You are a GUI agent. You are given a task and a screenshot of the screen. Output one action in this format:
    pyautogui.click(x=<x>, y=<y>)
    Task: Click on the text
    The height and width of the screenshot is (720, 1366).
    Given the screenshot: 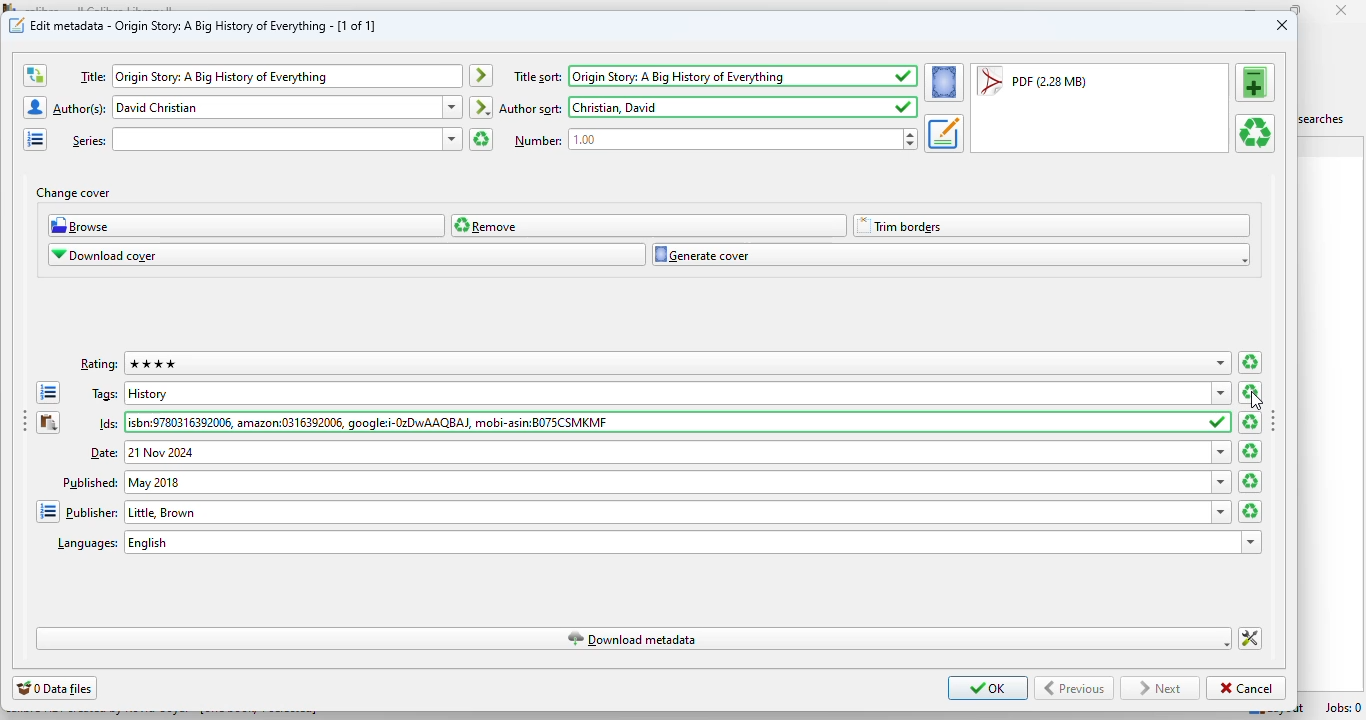 What is the action you would take?
    pyautogui.click(x=90, y=482)
    